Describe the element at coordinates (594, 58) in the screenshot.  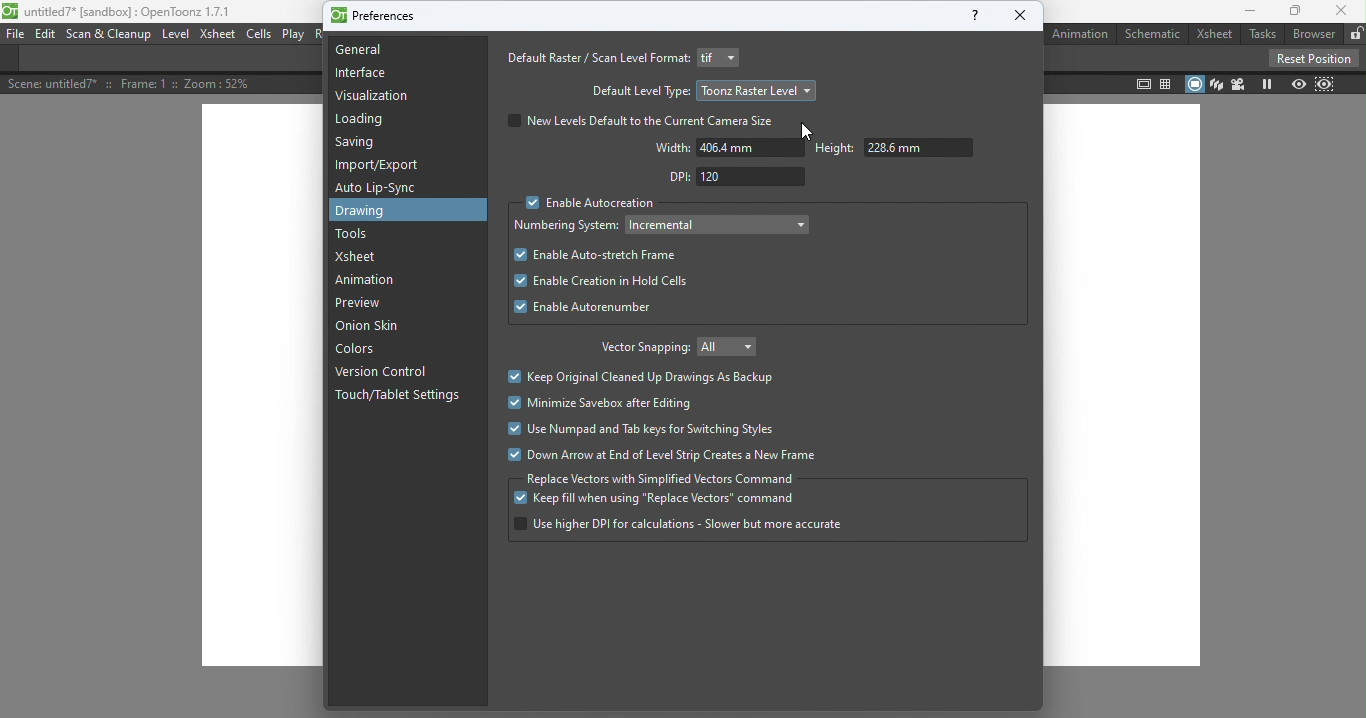
I see `Default raster/scan level format` at that location.